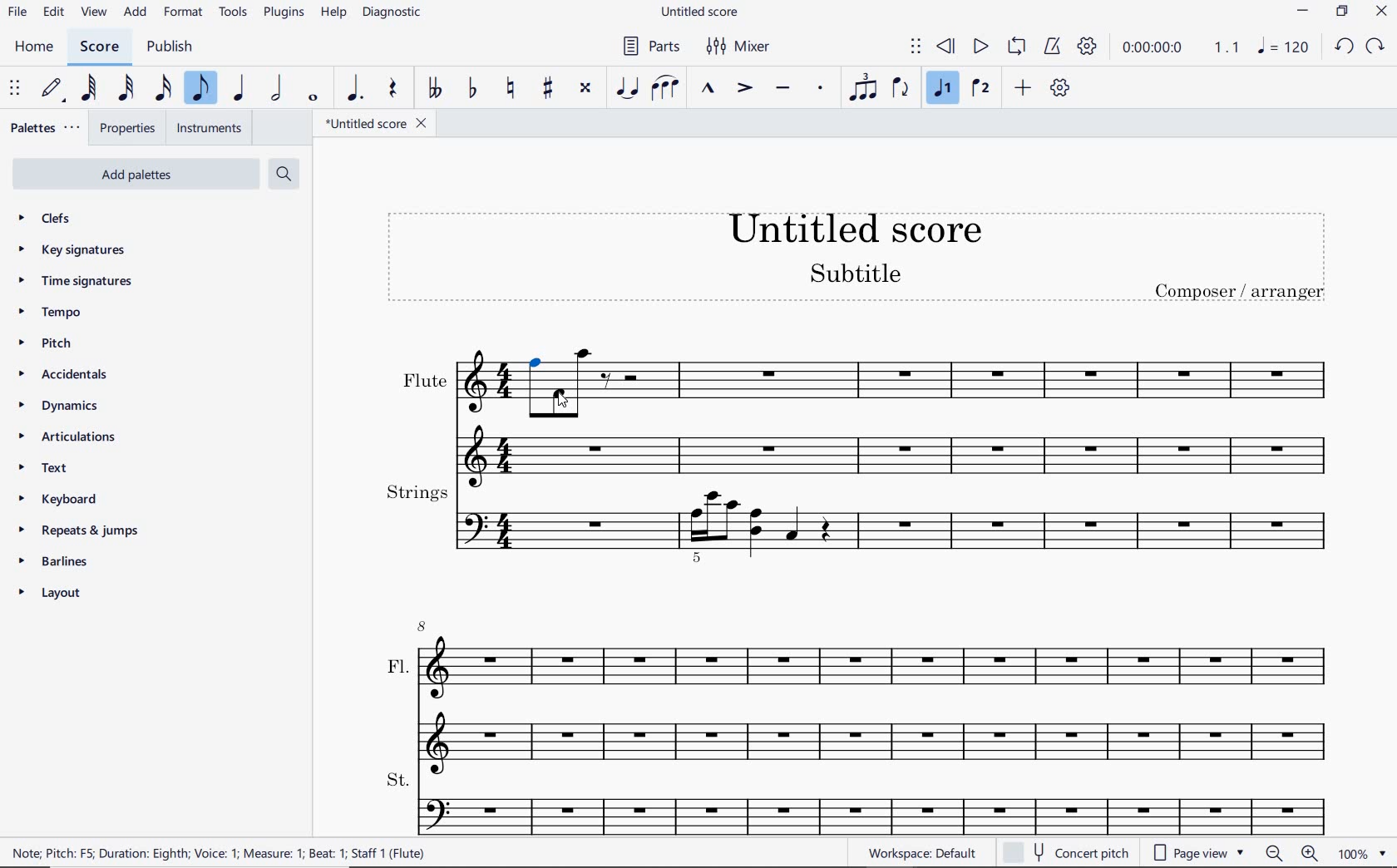 This screenshot has width=1397, height=868. I want to click on zoom out or zoom in, so click(1291, 854).